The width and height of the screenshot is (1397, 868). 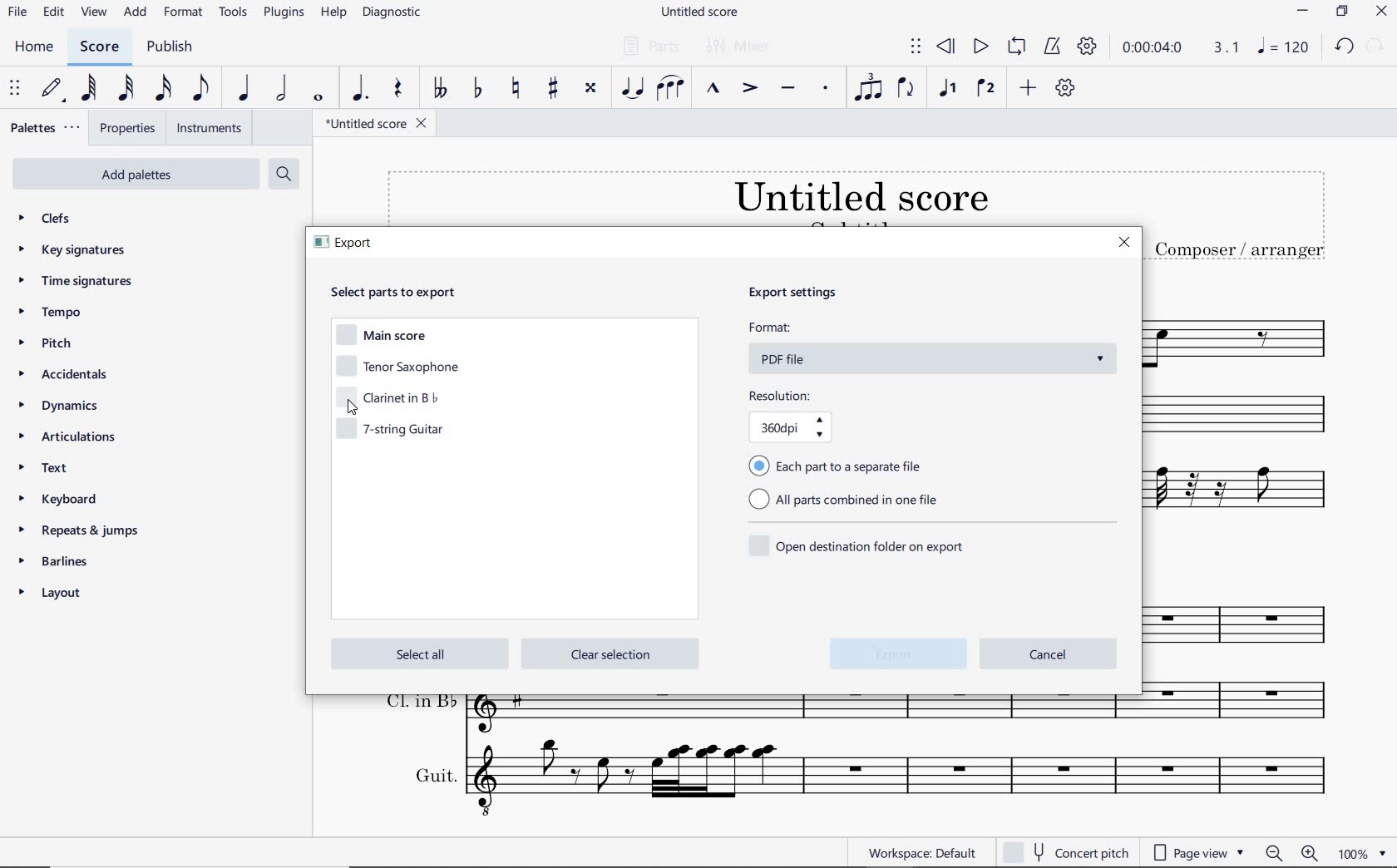 I want to click on each part to separate file, so click(x=840, y=465).